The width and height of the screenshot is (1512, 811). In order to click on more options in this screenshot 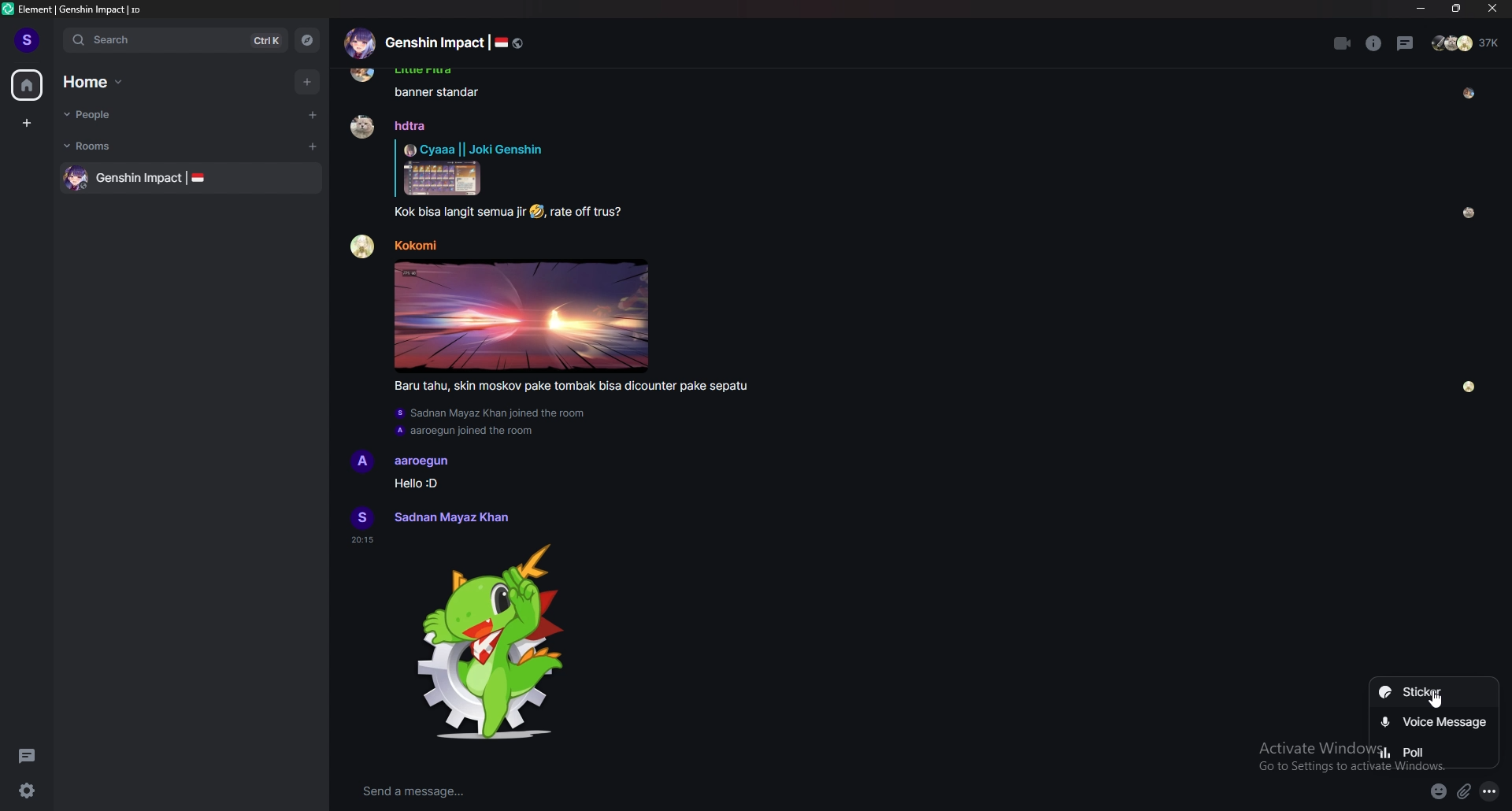, I will do `click(1489, 791)`.